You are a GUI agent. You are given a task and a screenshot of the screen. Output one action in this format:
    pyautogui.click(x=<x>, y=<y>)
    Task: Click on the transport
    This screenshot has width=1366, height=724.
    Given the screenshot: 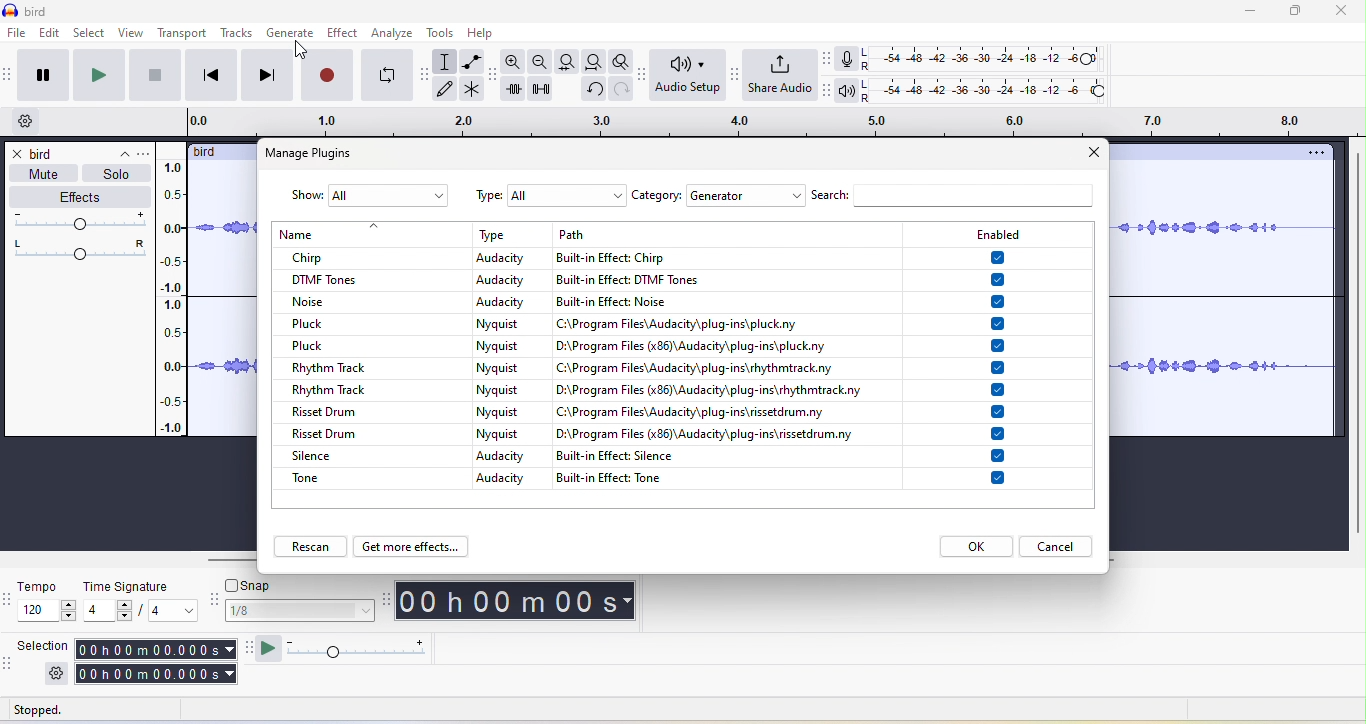 What is the action you would take?
    pyautogui.click(x=183, y=33)
    